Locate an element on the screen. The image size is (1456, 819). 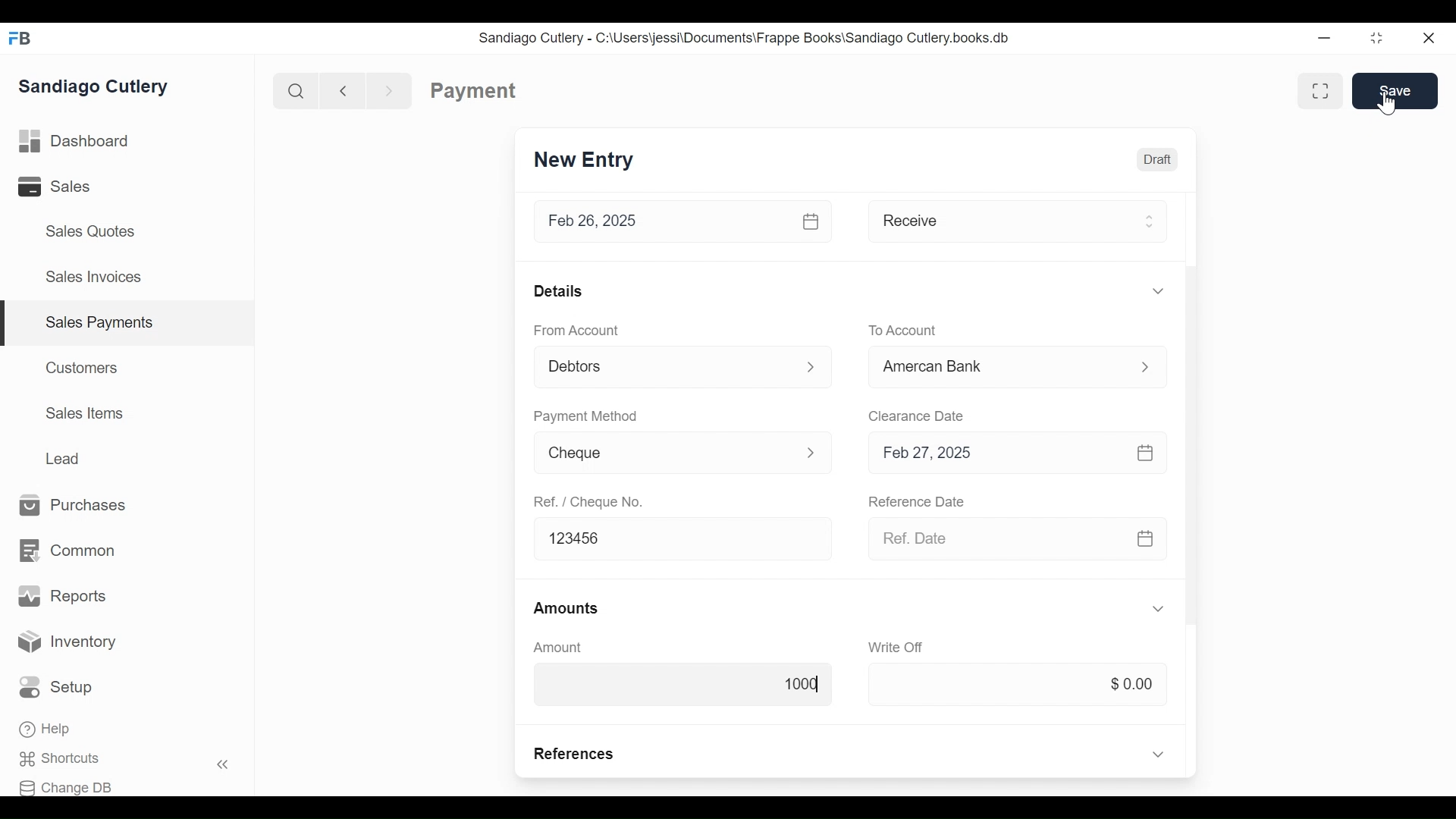
To Account is located at coordinates (903, 329).